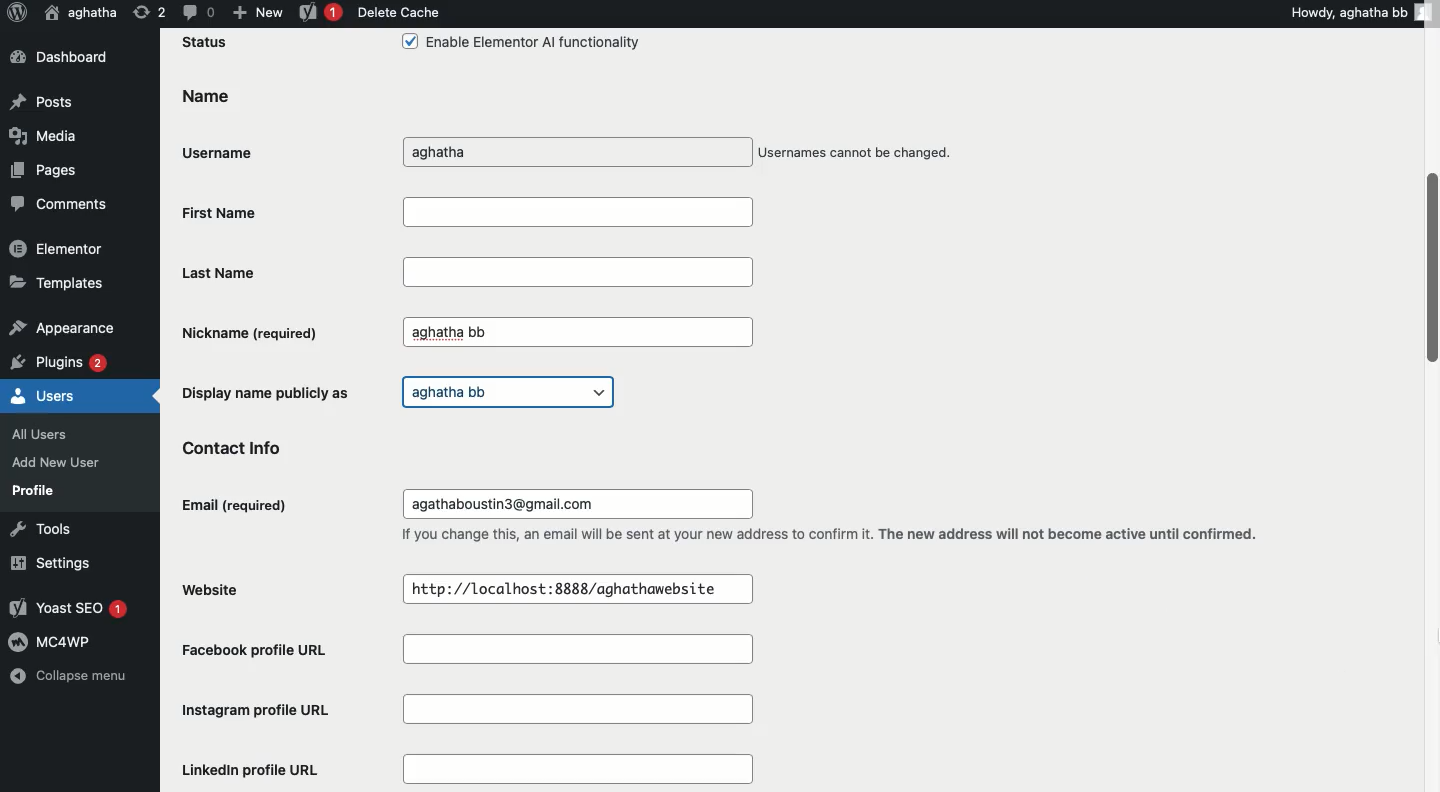  Describe the element at coordinates (270, 391) in the screenshot. I see `Display name publicly as` at that location.